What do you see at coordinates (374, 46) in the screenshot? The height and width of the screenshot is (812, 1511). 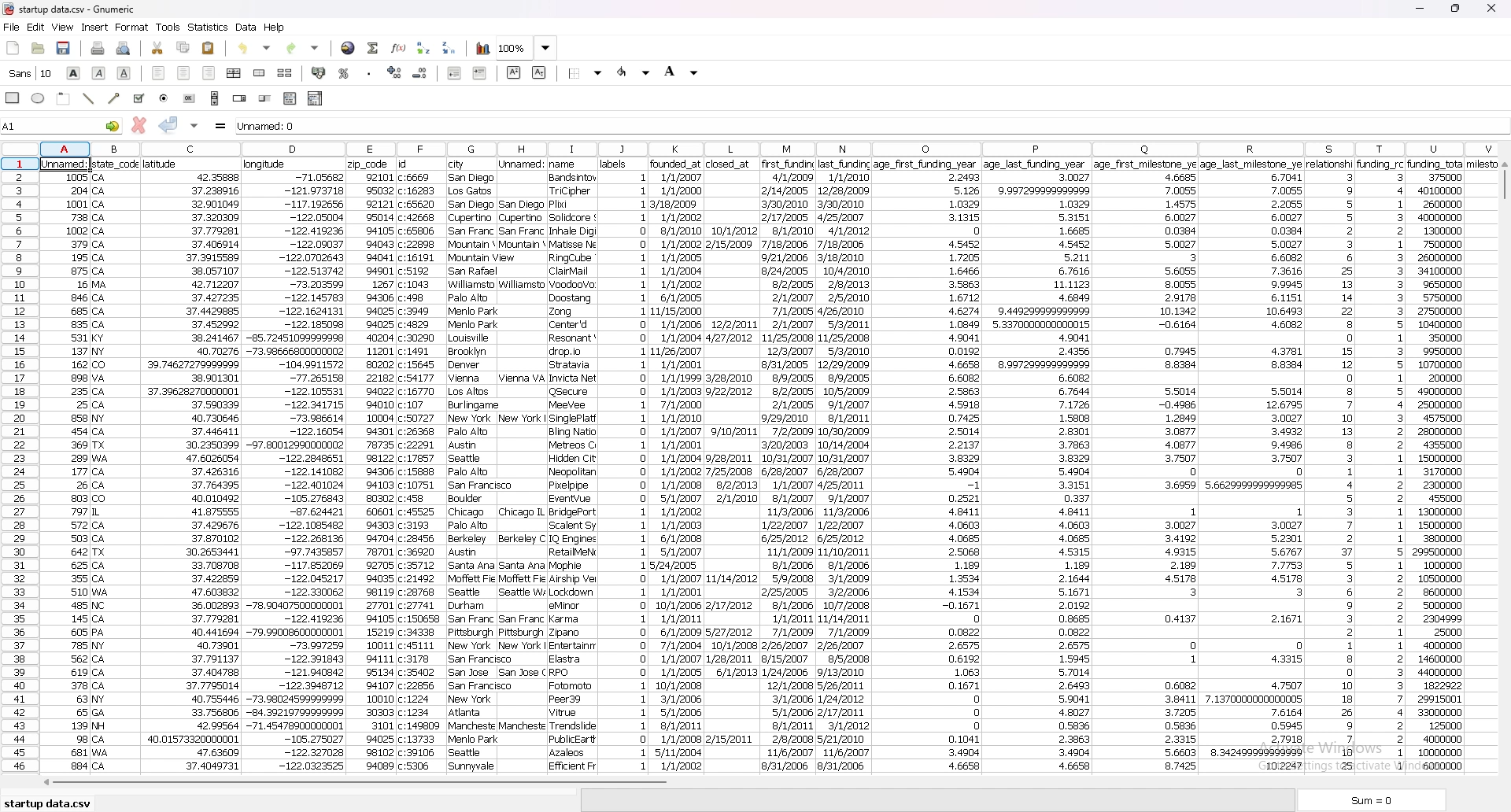 I see `summation` at bounding box center [374, 46].